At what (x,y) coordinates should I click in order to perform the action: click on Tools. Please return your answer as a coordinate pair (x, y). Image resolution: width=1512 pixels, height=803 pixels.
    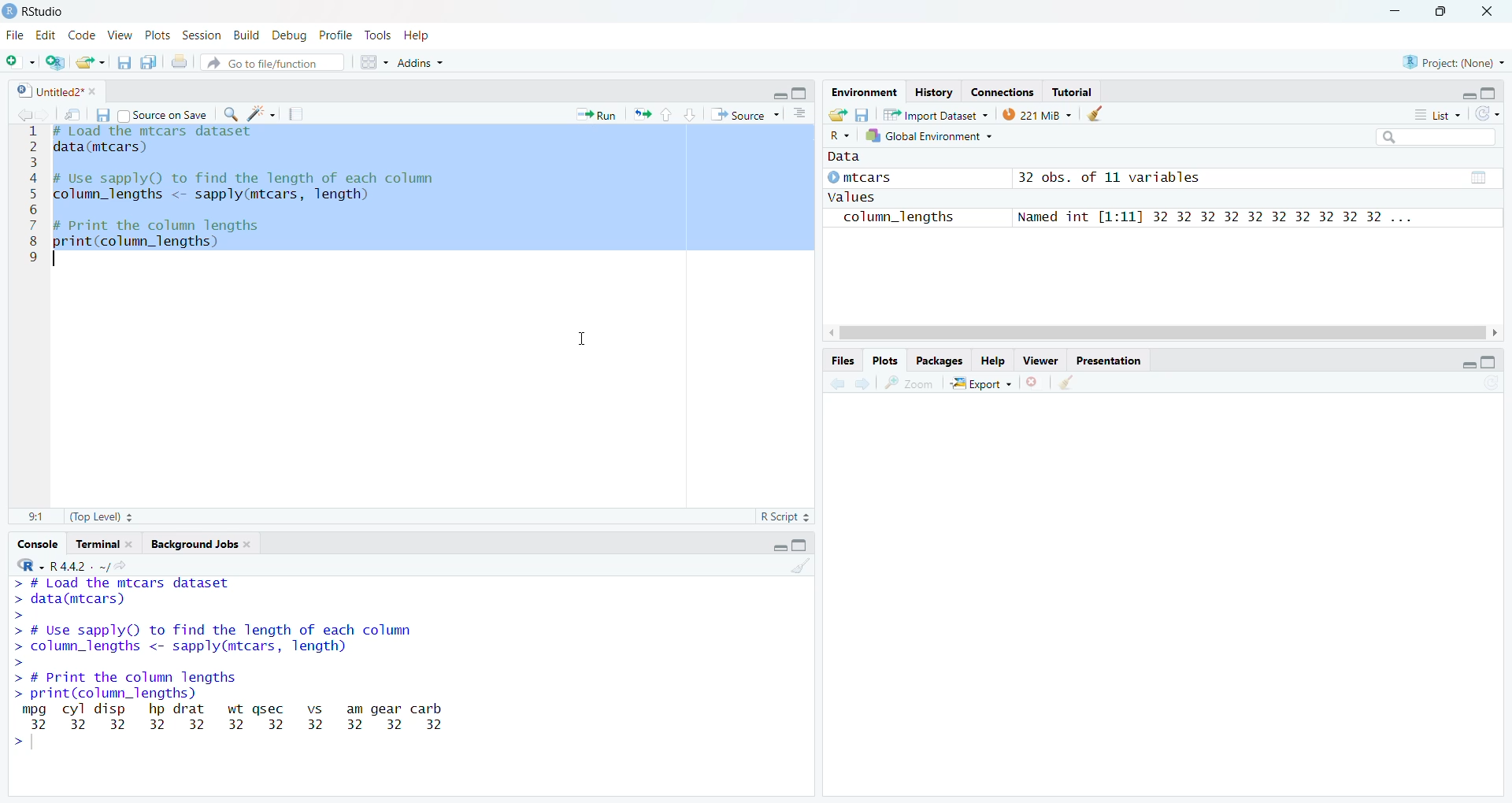
    Looking at the image, I should click on (380, 35).